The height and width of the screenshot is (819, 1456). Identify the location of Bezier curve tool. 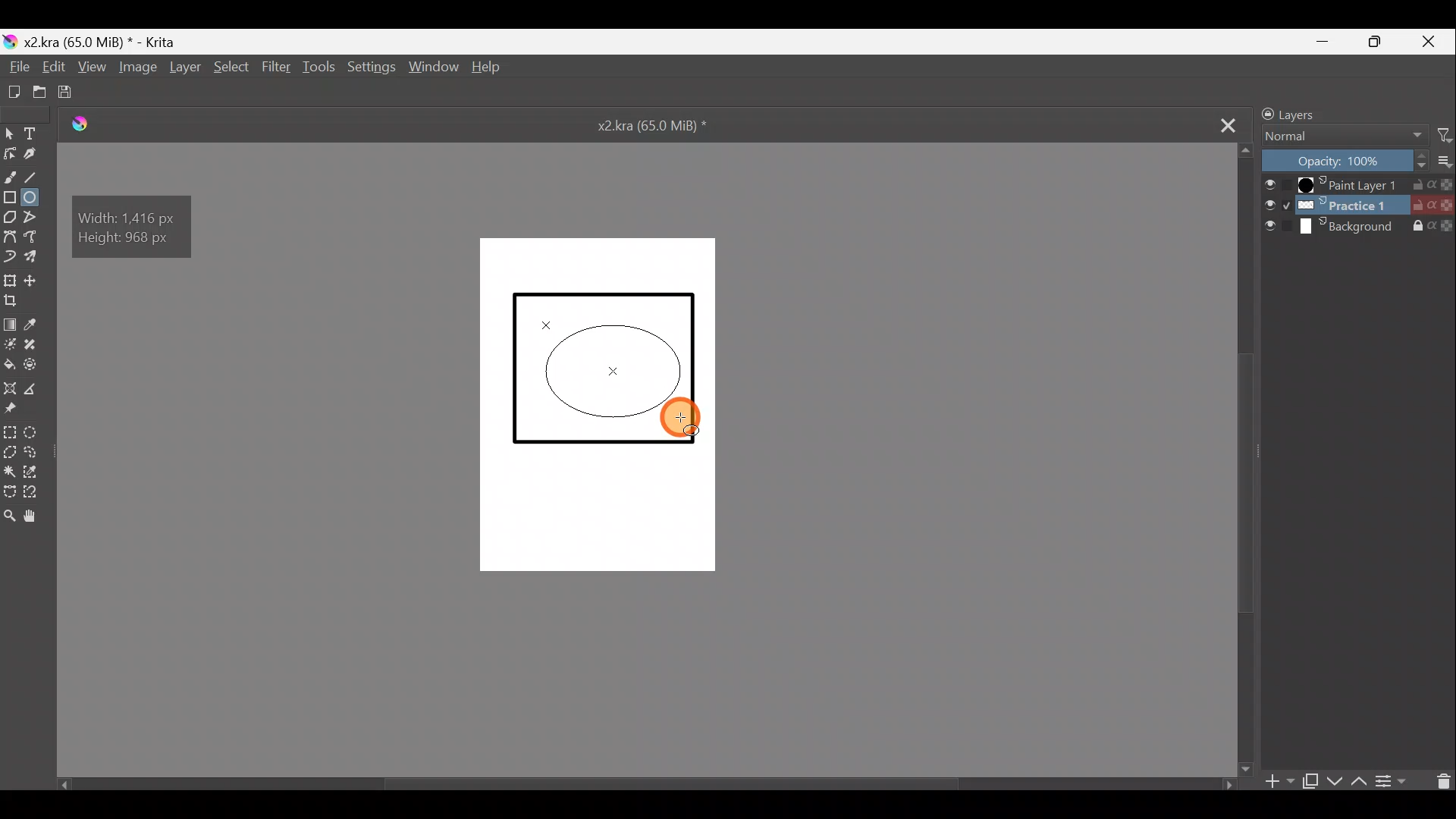
(11, 237).